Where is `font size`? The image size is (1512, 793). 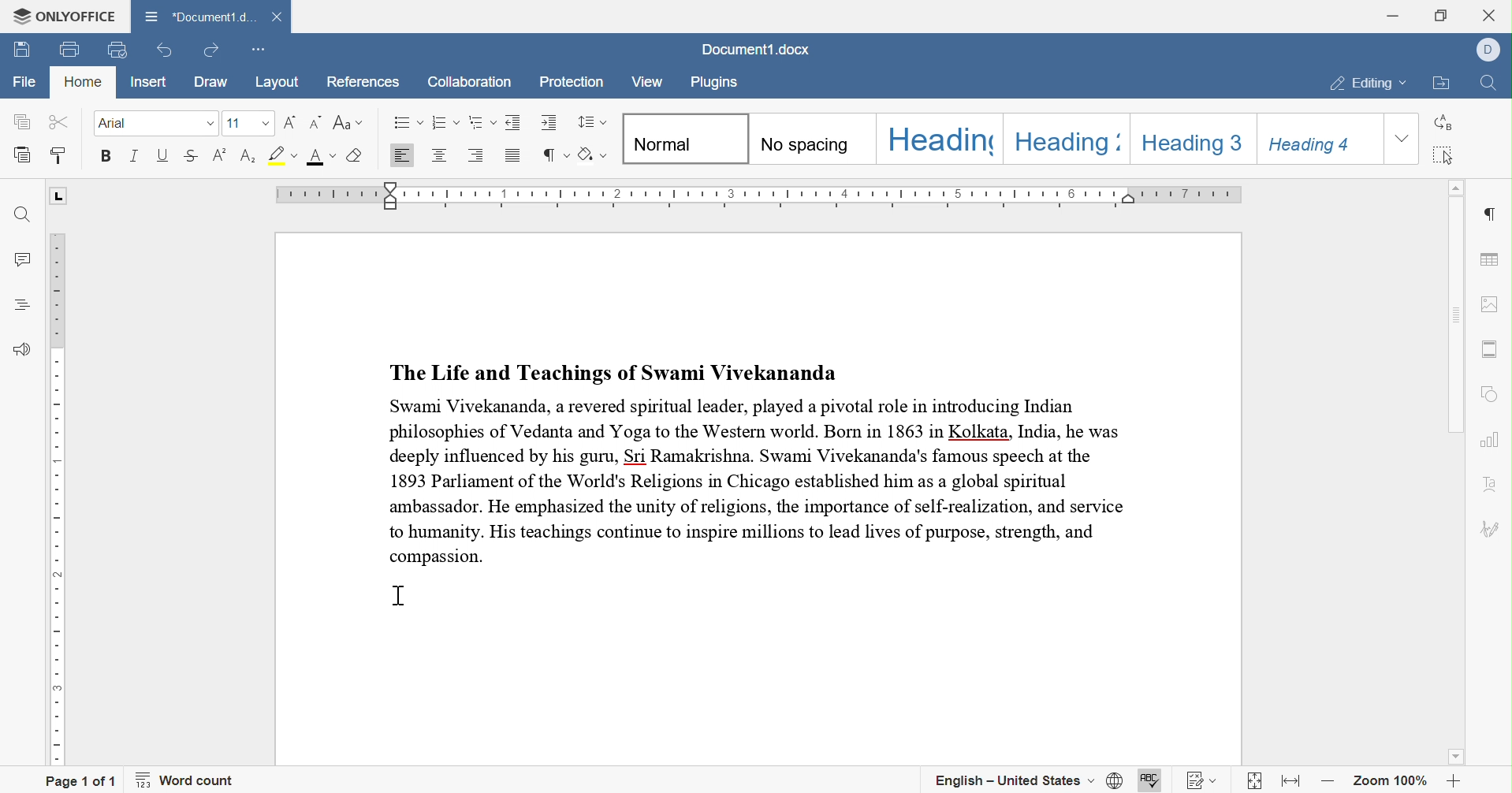
font size is located at coordinates (237, 124).